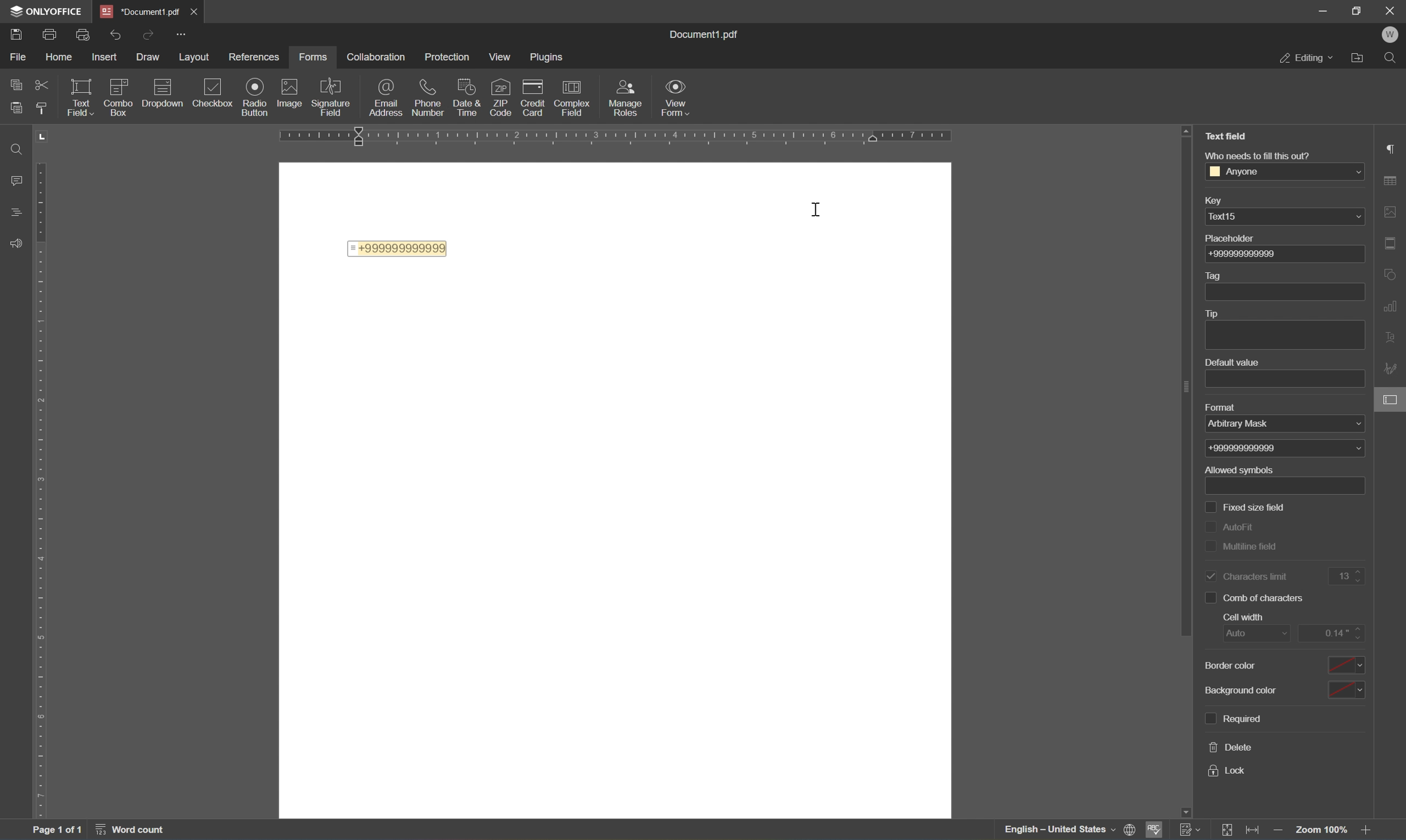 This screenshot has height=840, width=1406. Describe the element at coordinates (1257, 156) in the screenshot. I see `who needs to fill this out?` at that location.